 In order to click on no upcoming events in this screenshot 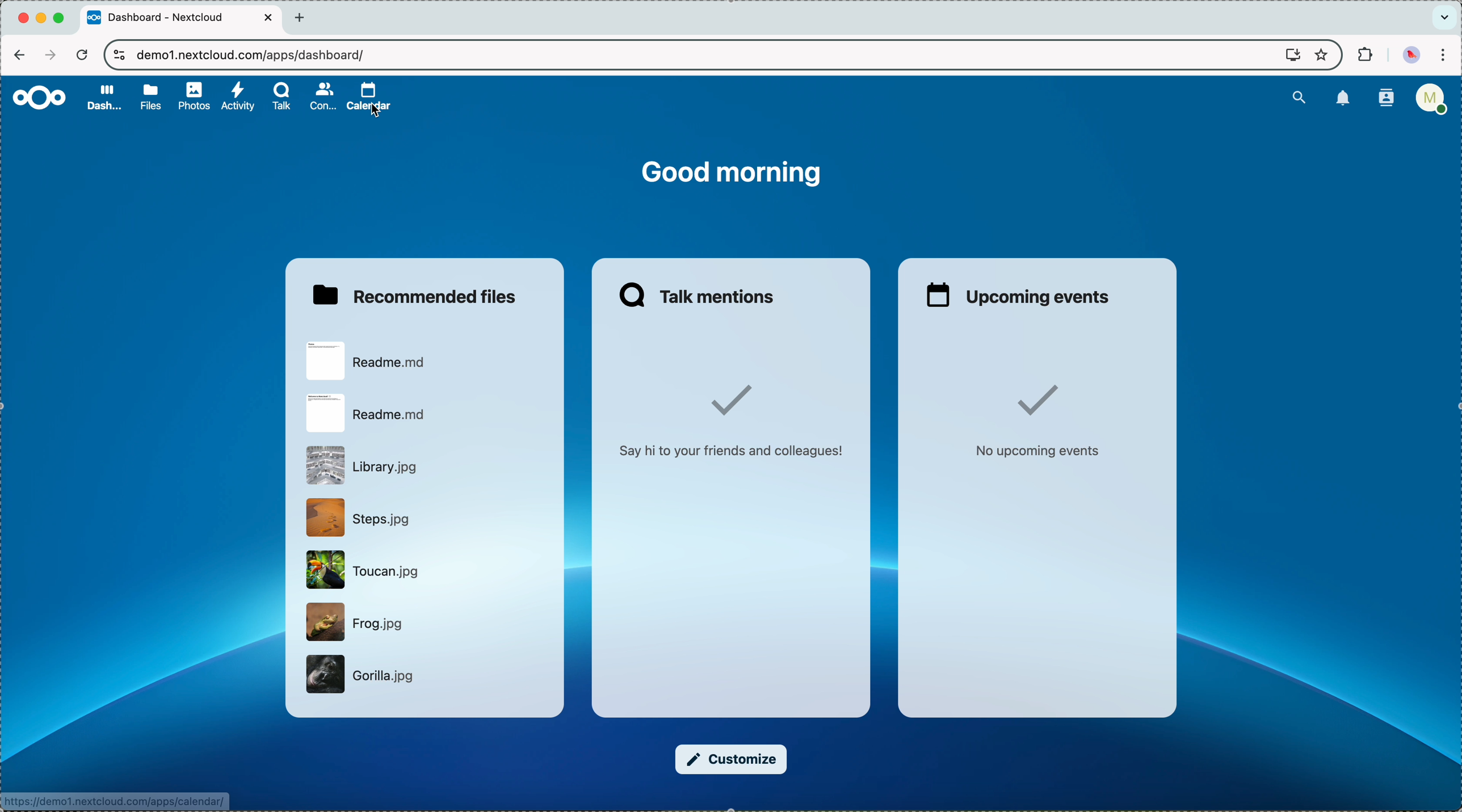, I will do `click(1041, 419)`.